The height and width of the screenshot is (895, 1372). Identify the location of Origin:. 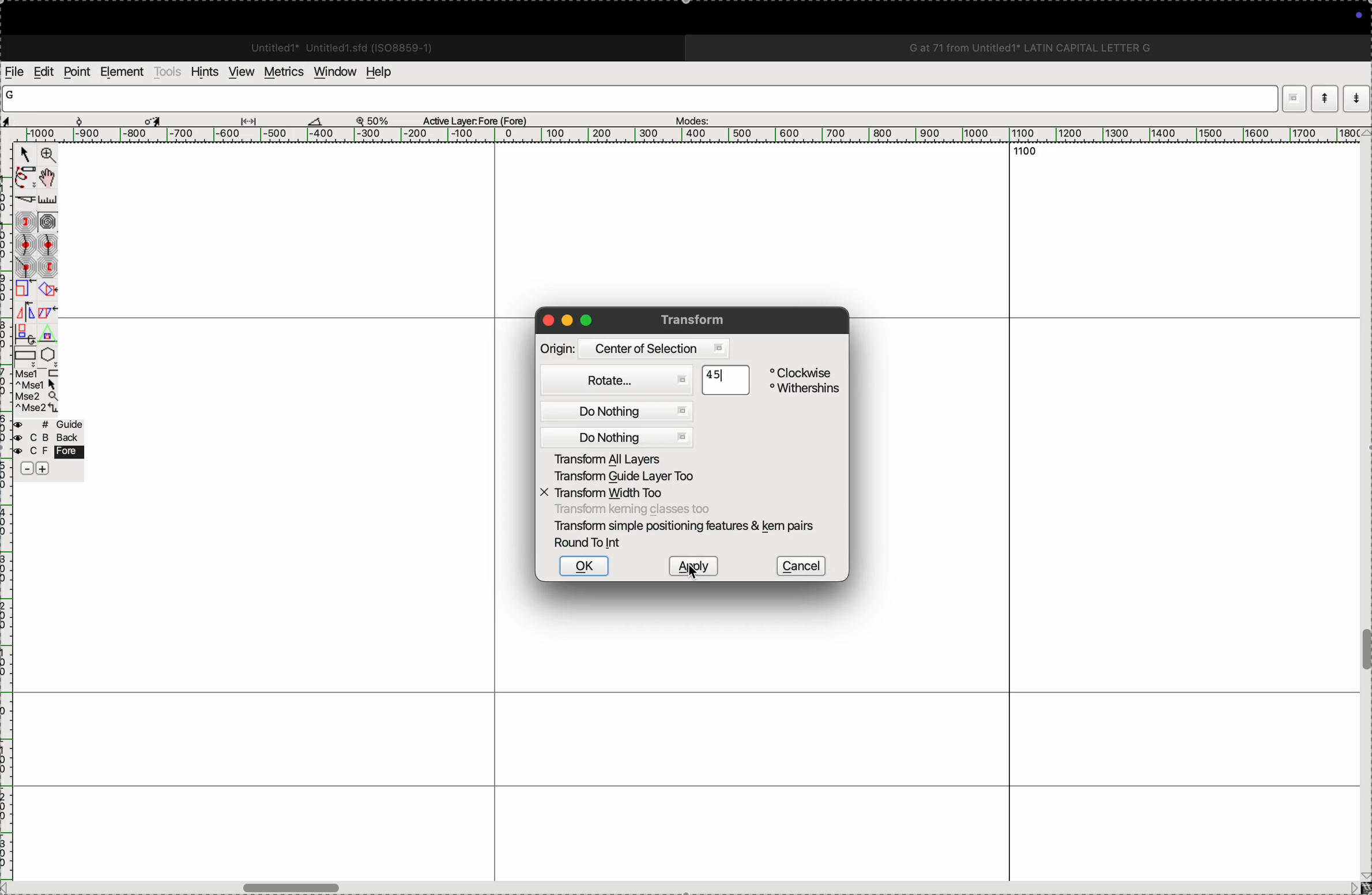
(559, 351).